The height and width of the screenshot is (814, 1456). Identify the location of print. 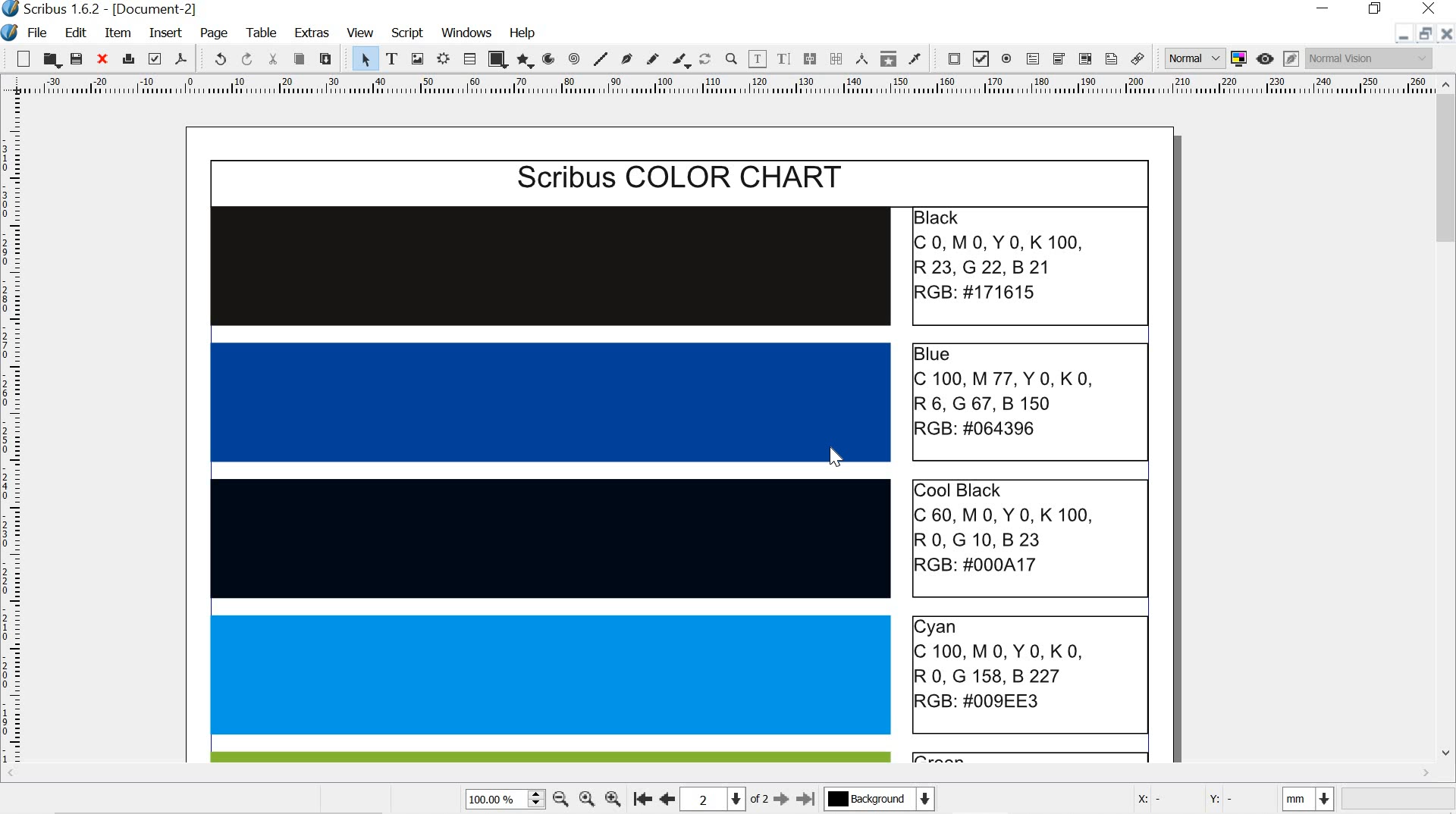
(127, 59).